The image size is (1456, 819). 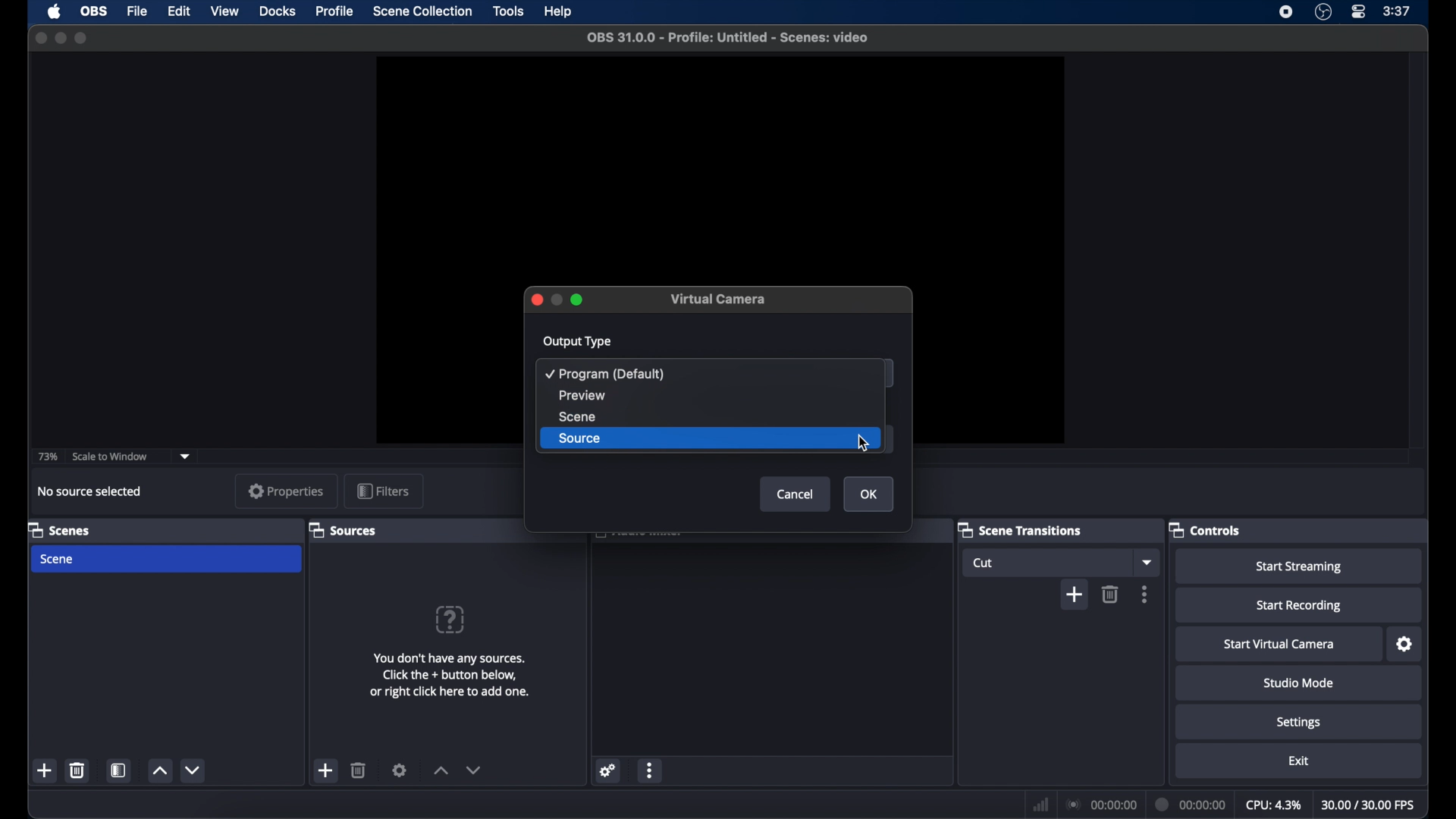 What do you see at coordinates (278, 11) in the screenshot?
I see `docks` at bounding box center [278, 11].